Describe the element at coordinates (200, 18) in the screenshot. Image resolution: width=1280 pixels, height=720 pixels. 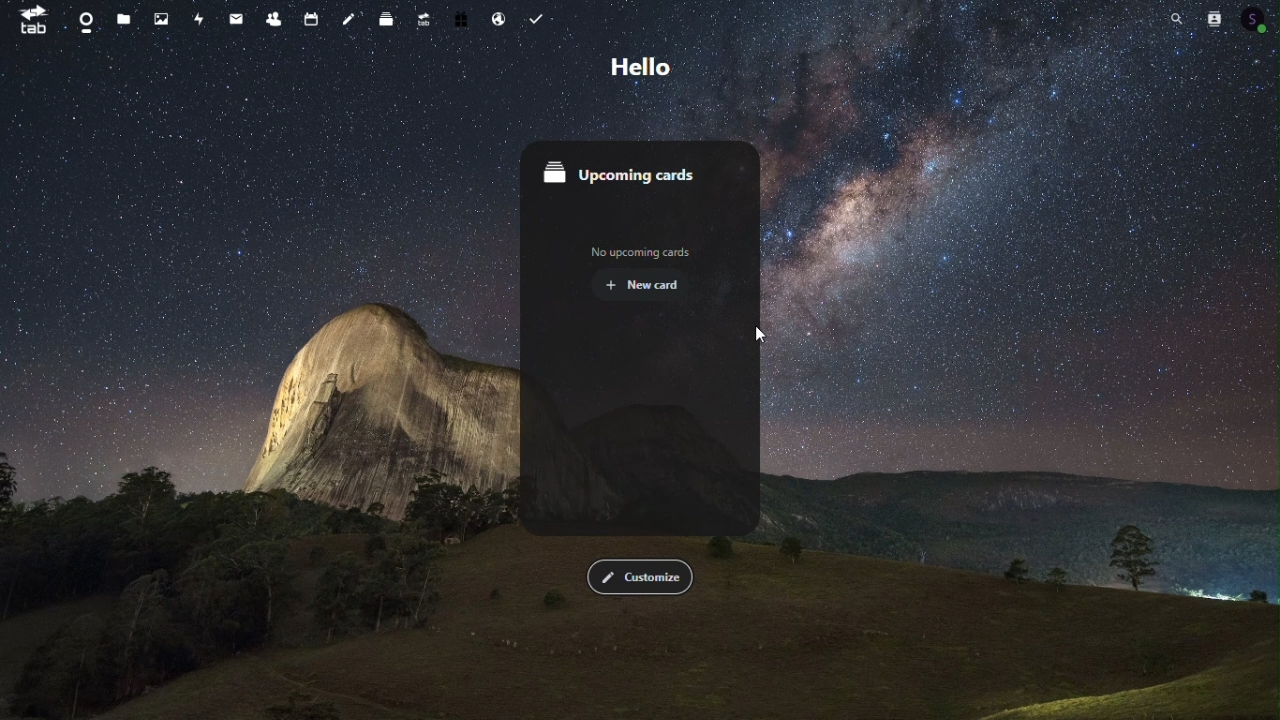
I see `Activity` at that location.